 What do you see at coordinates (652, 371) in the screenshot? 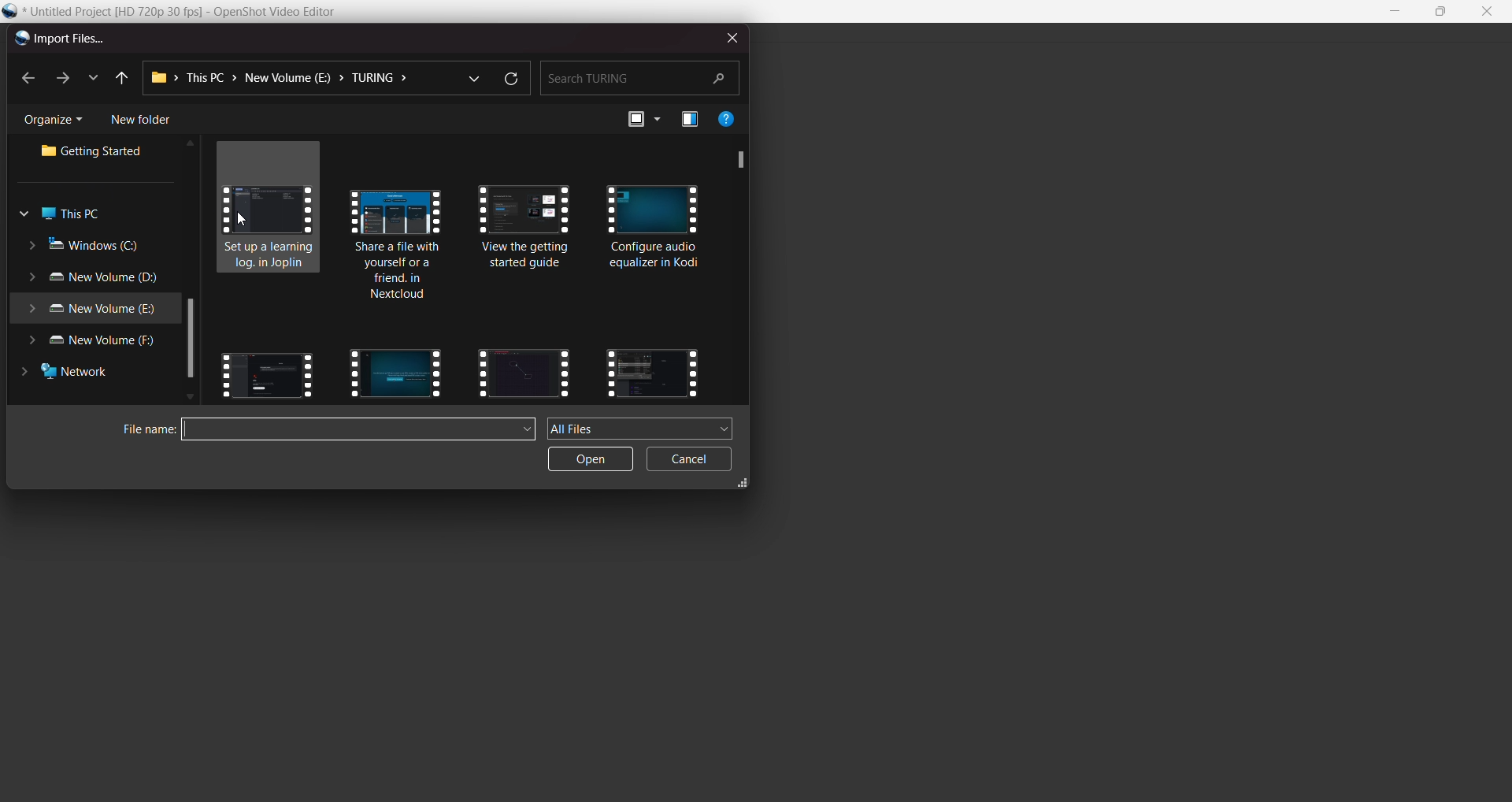
I see `videos` at bounding box center [652, 371].